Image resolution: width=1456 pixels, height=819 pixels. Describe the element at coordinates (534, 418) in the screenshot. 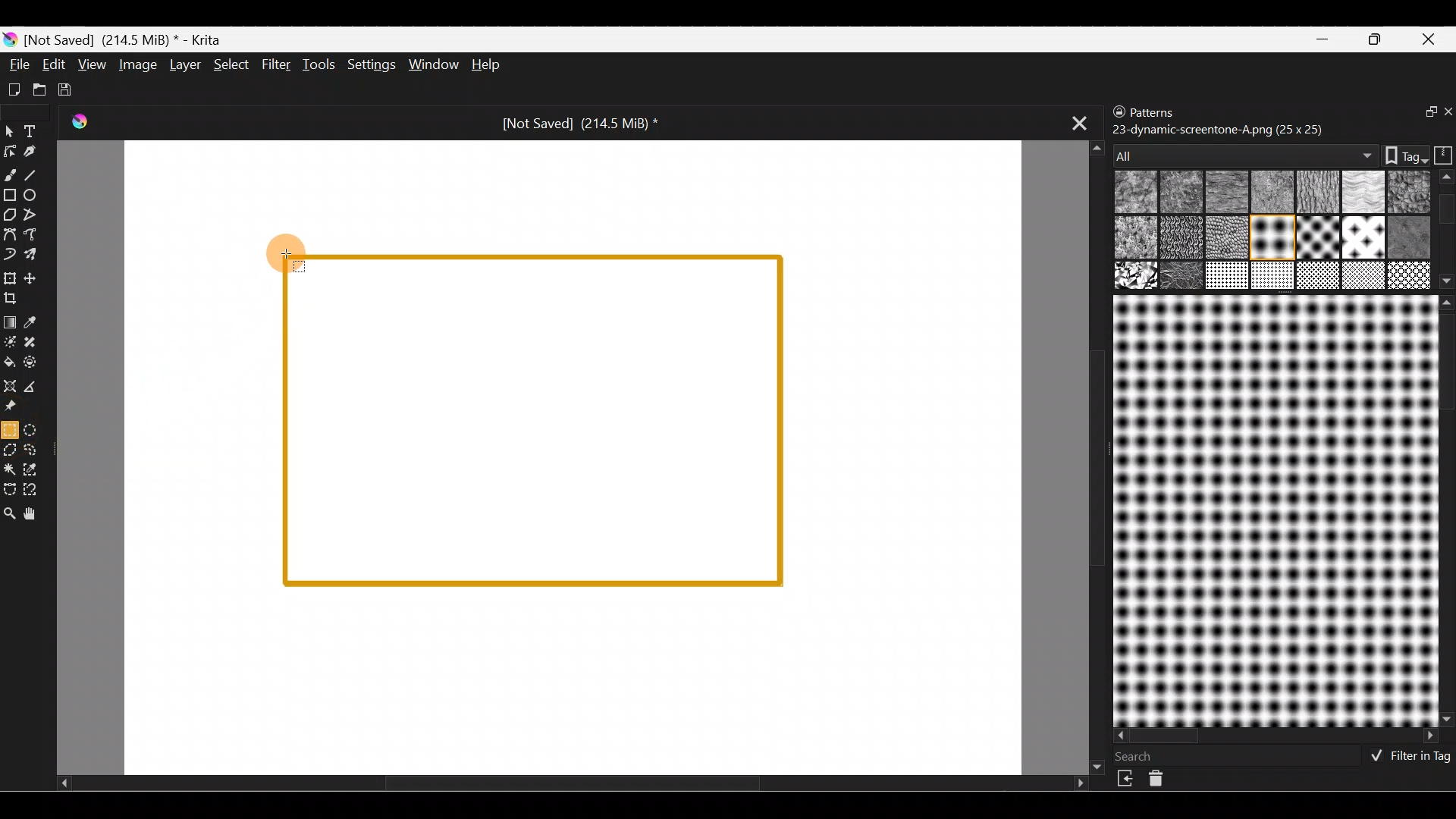

I see `Rectangle shape on Canvas` at that location.